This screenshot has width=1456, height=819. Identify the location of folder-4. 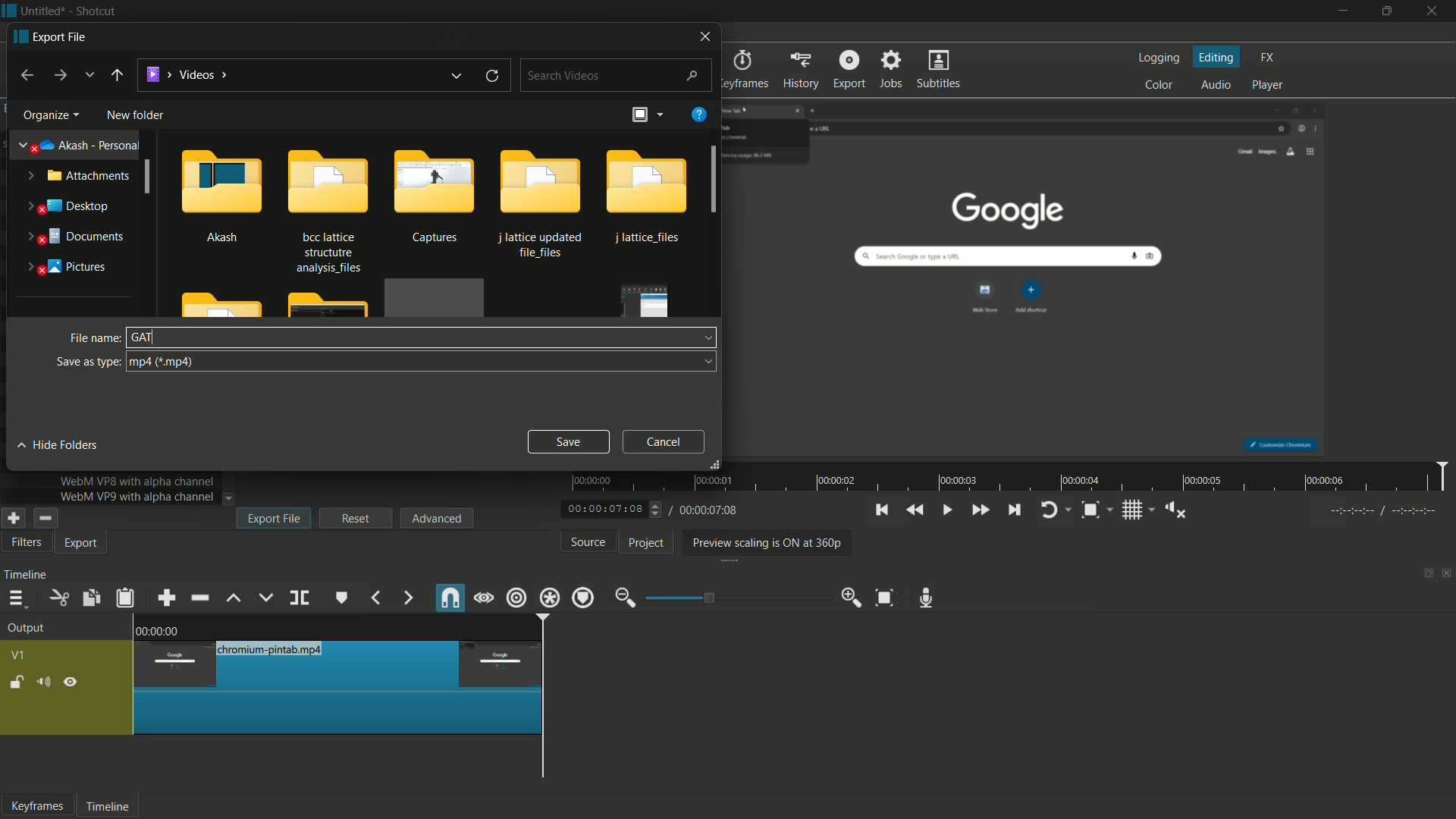
(543, 204).